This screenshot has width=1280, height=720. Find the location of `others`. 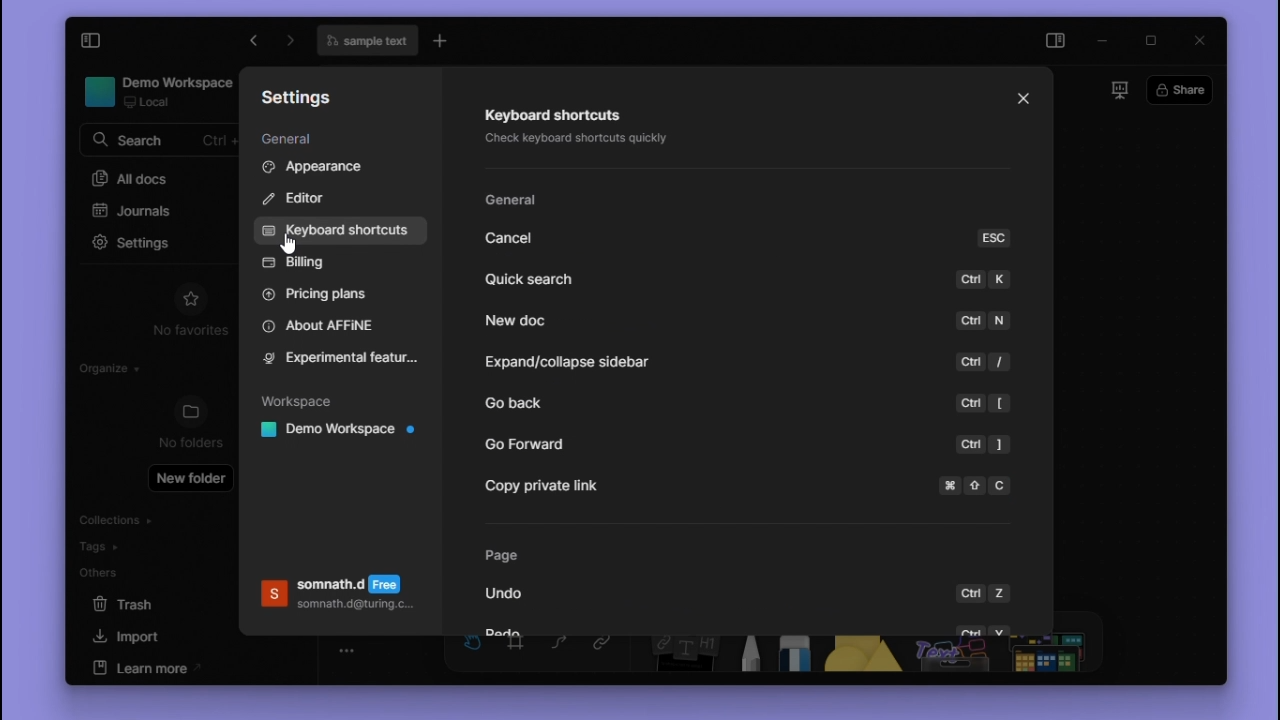

others is located at coordinates (119, 573).